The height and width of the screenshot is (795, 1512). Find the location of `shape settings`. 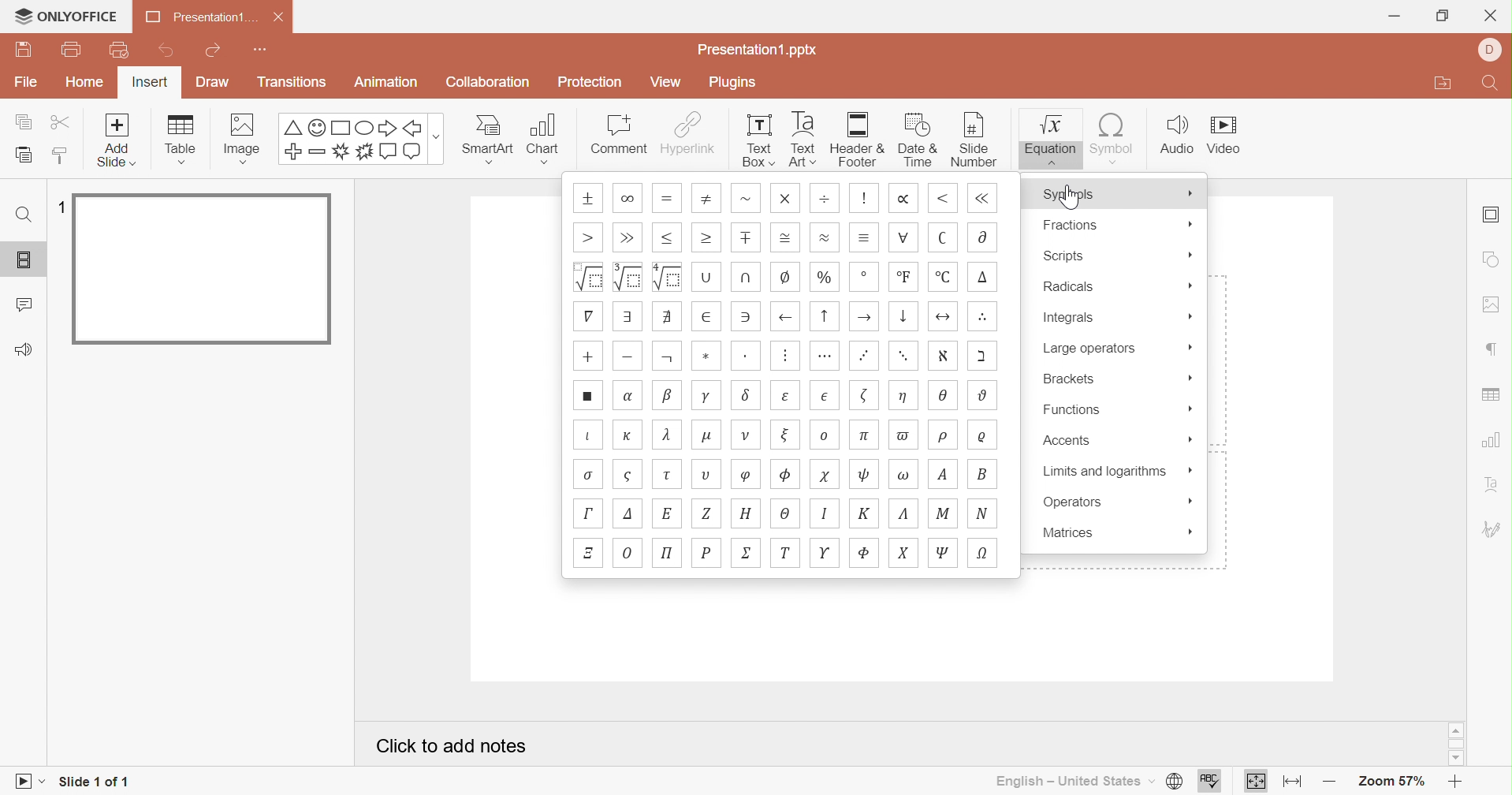

shape settings is located at coordinates (1492, 259).